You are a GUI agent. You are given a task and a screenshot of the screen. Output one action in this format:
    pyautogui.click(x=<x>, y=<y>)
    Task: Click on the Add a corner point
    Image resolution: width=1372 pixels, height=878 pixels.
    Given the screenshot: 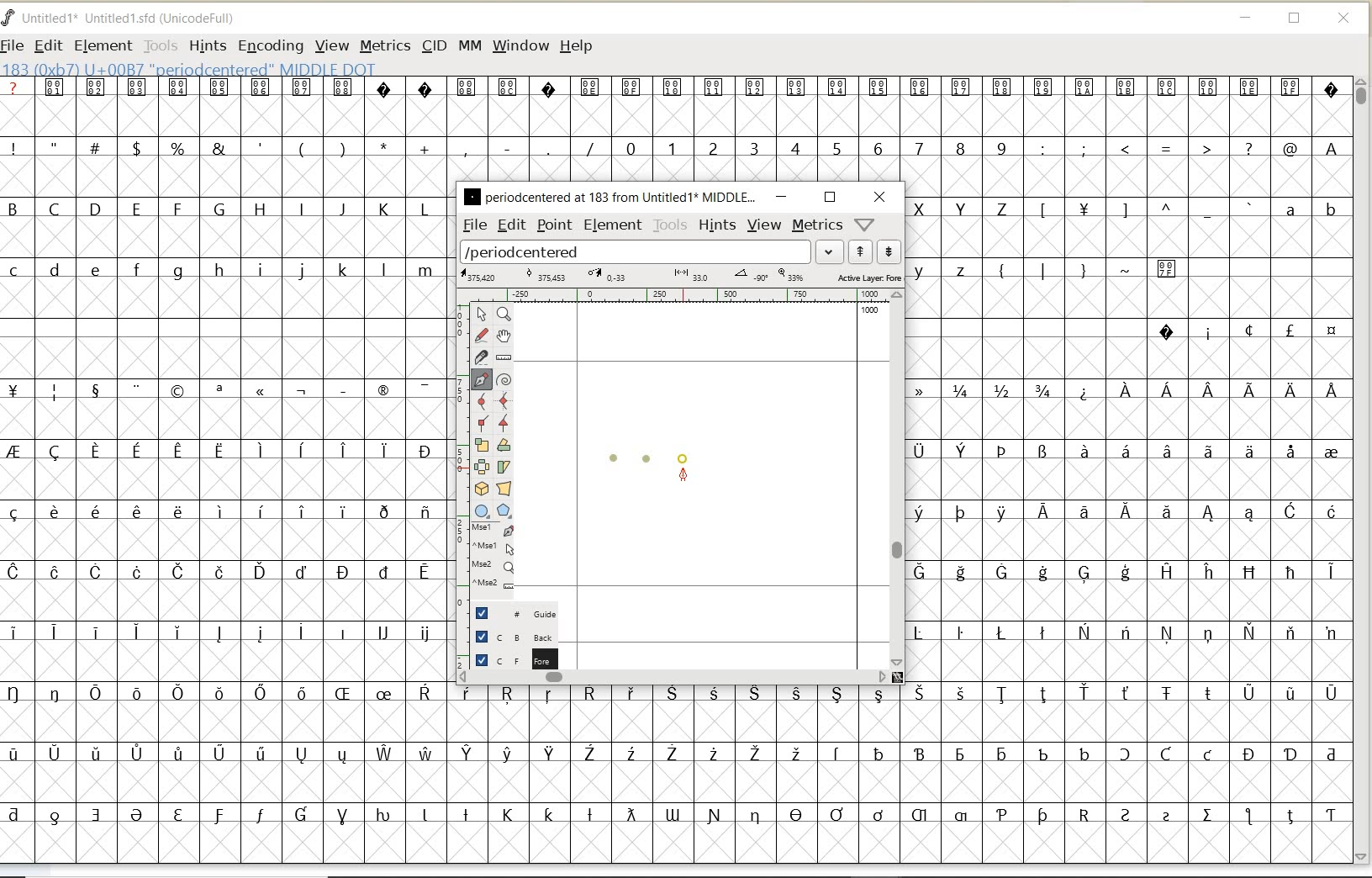 What is the action you would take?
    pyautogui.click(x=481, y=422)
    